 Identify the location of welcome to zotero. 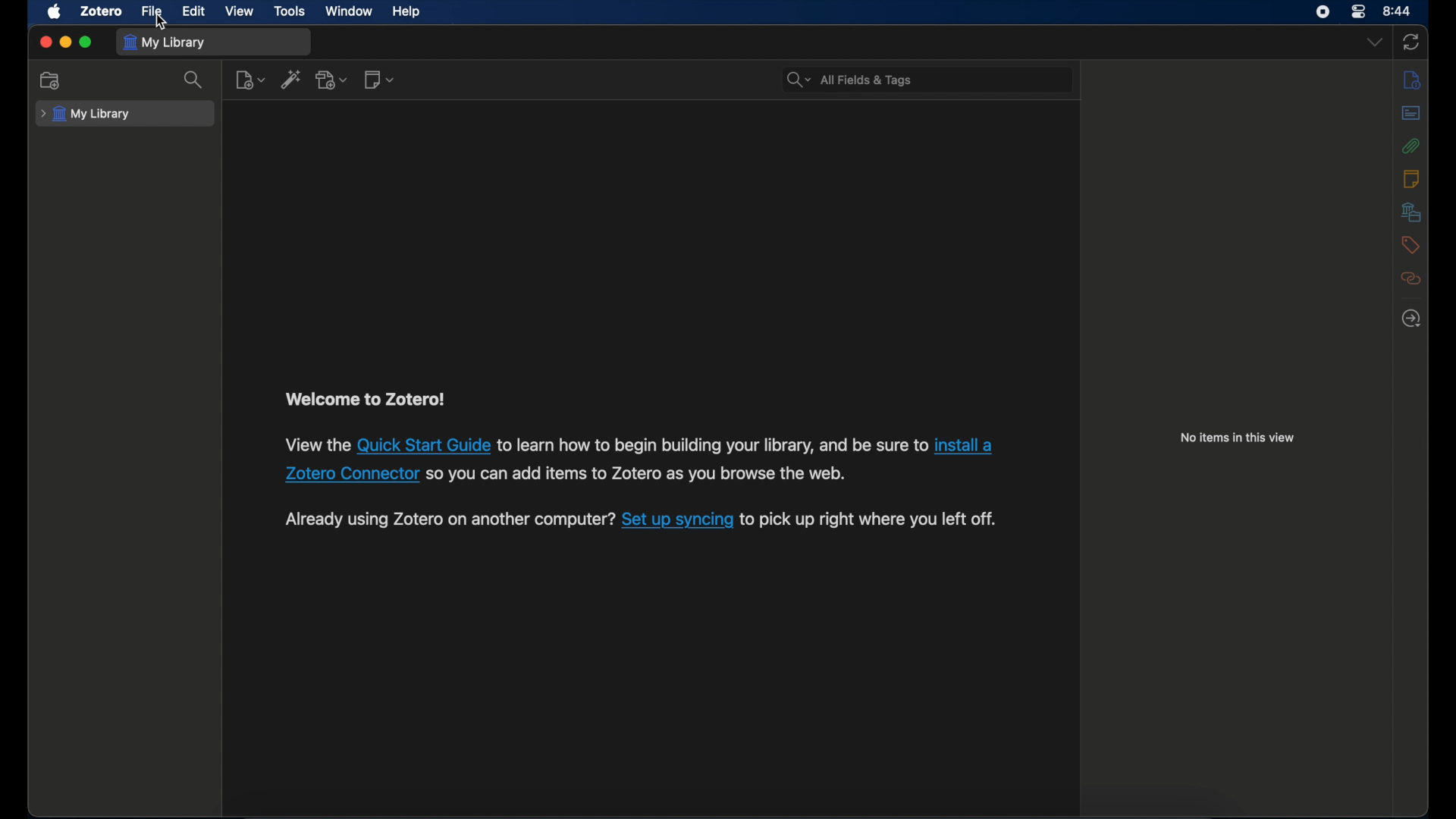
(367, 400).